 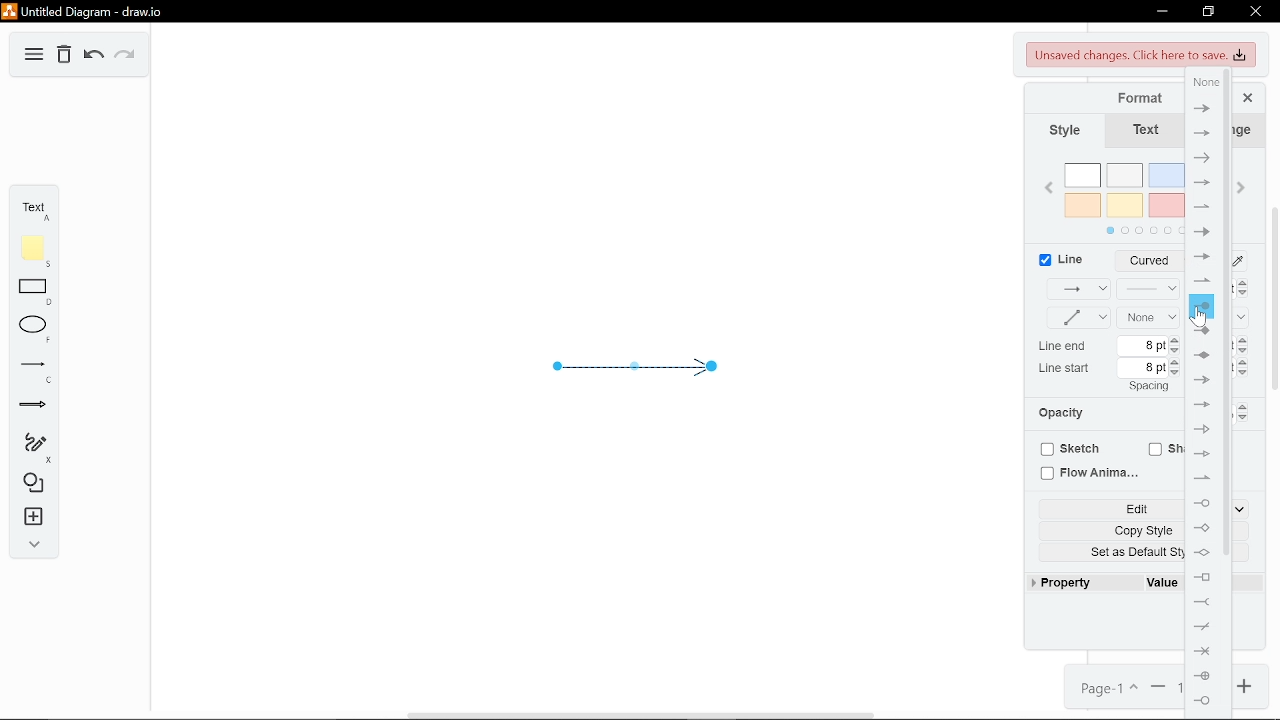 I want to click on Set as default style, so click(x=1113, y=551).